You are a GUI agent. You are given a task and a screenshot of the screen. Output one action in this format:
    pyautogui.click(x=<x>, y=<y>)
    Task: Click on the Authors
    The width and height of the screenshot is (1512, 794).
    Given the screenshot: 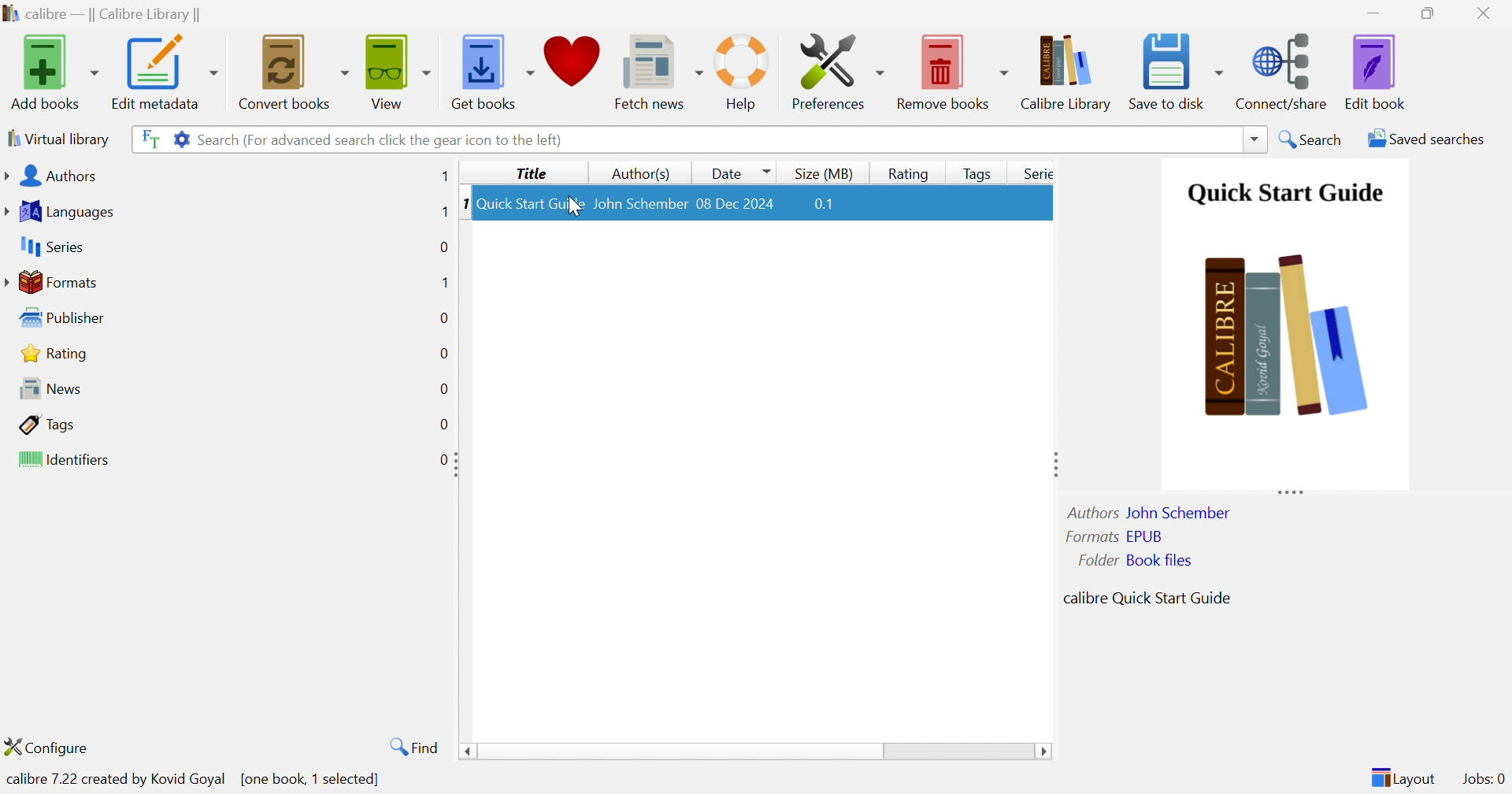 What is the action you would take?
    pyautogui.click(x=50, y=175)
    